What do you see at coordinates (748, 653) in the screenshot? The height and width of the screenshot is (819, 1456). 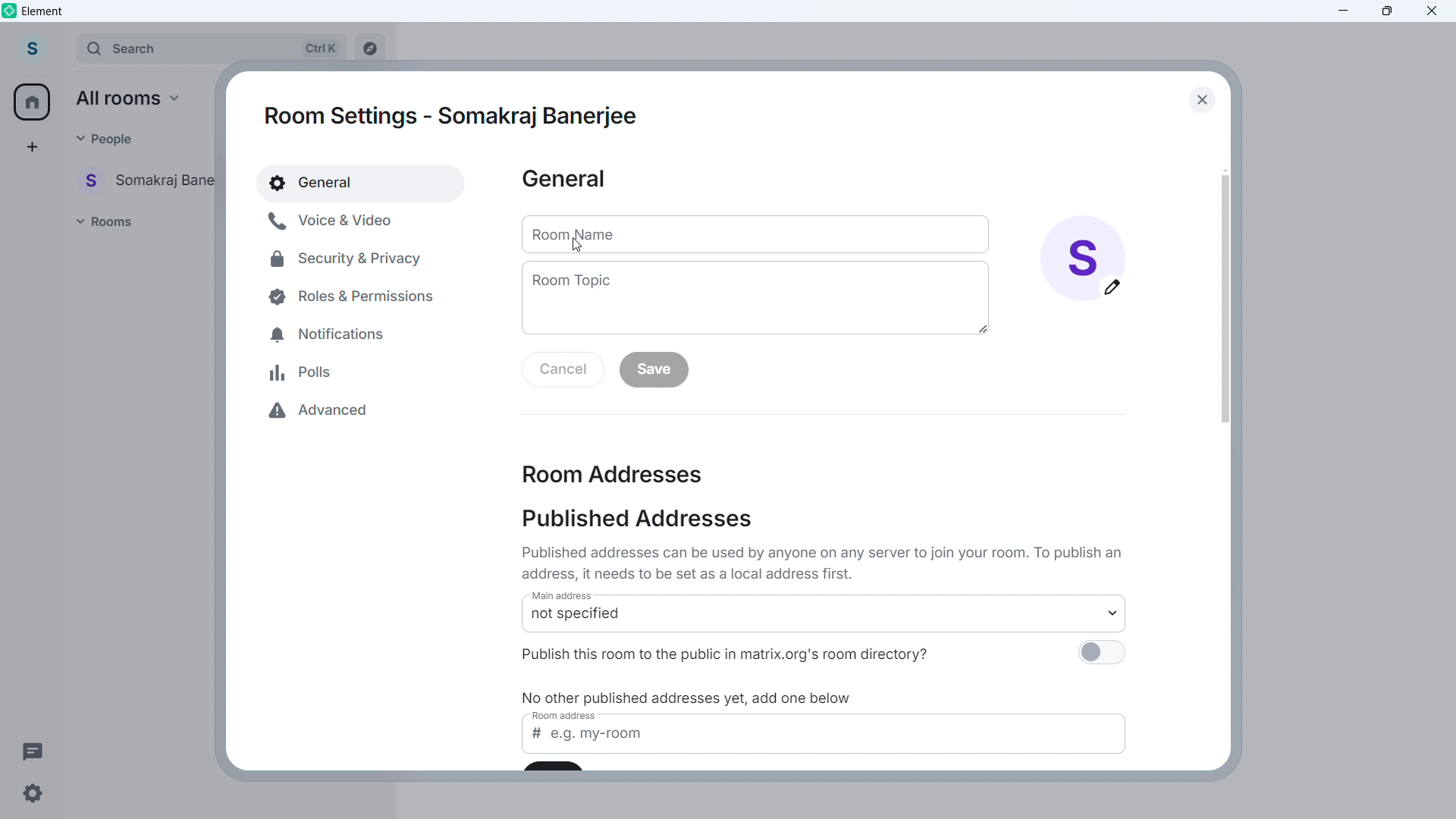 I see `publish this room to the public in matrix.org's room directory?` at bounding box center [748, 653].